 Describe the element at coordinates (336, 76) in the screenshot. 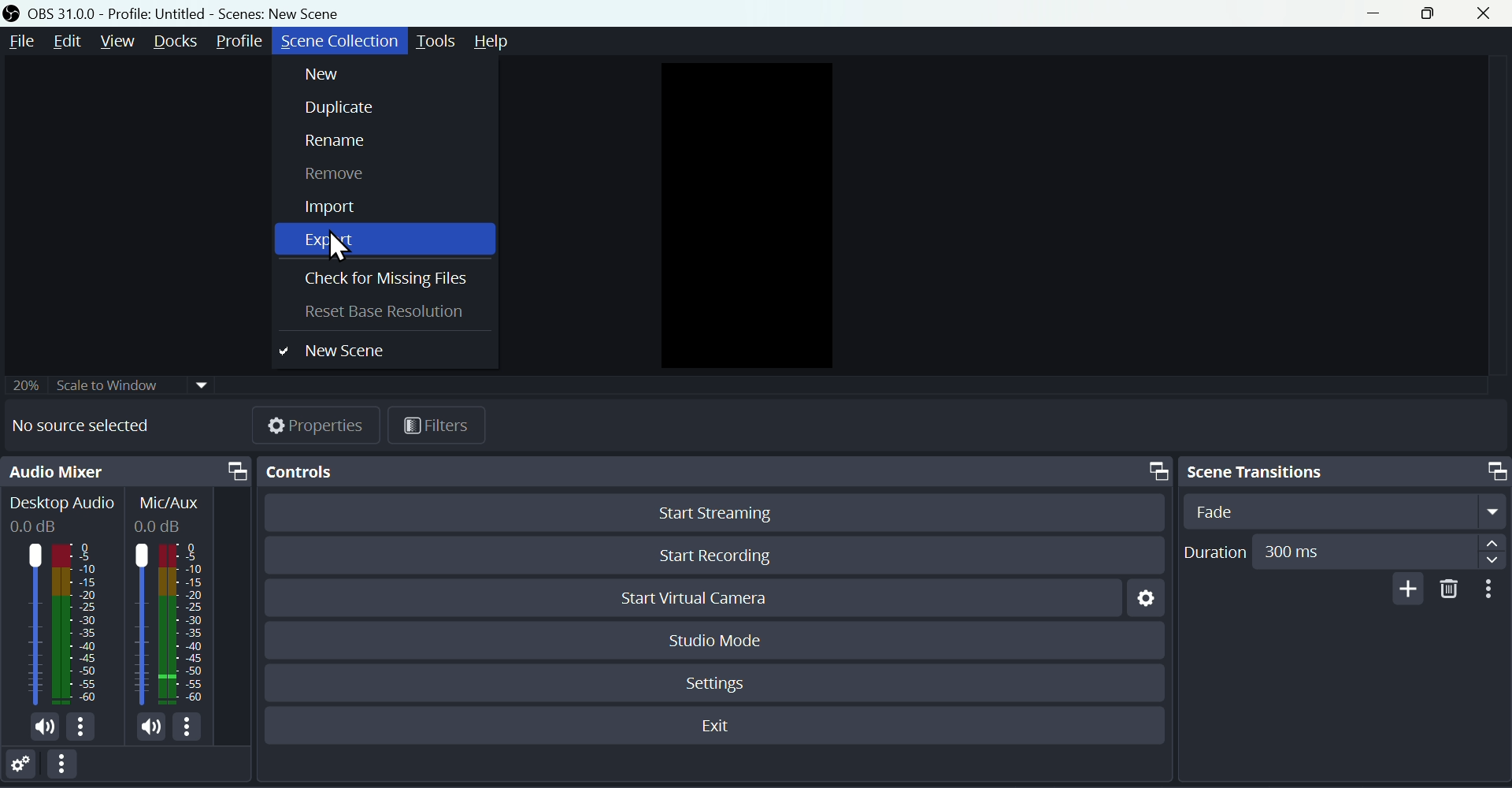

I see `New` at that location.